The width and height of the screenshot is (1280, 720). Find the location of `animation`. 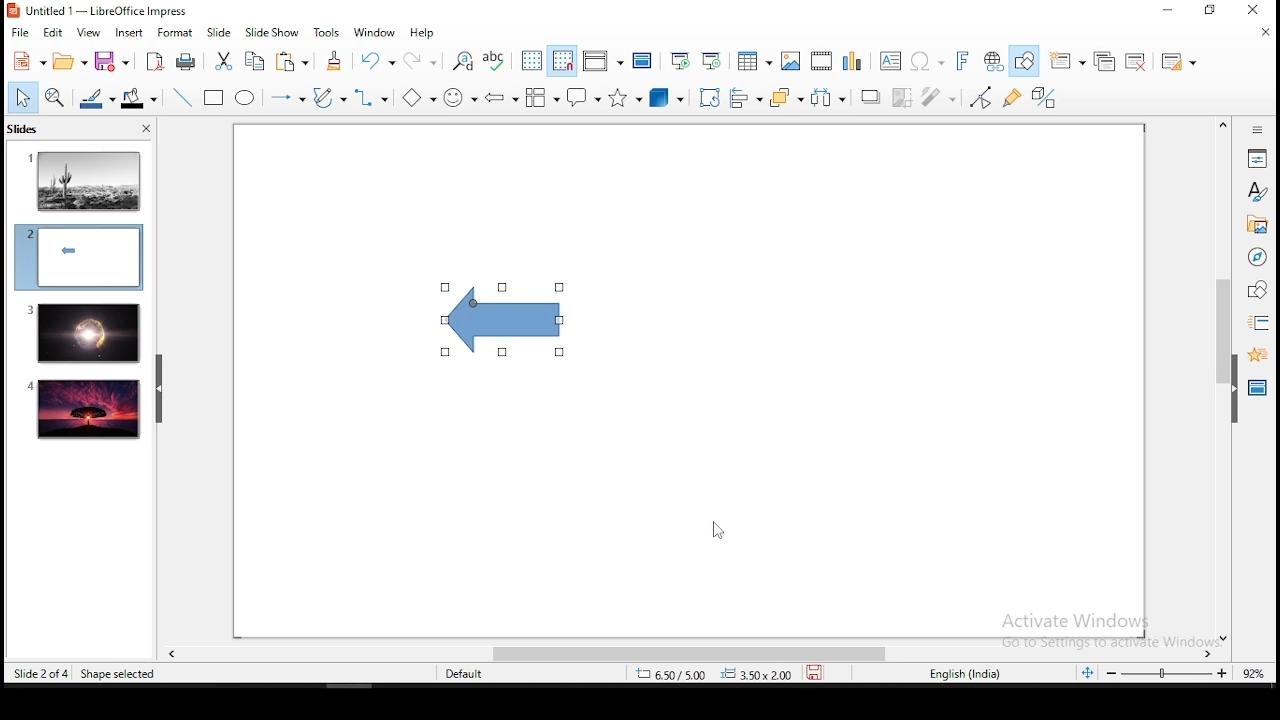

animation is located at coordinates (1255, 353).